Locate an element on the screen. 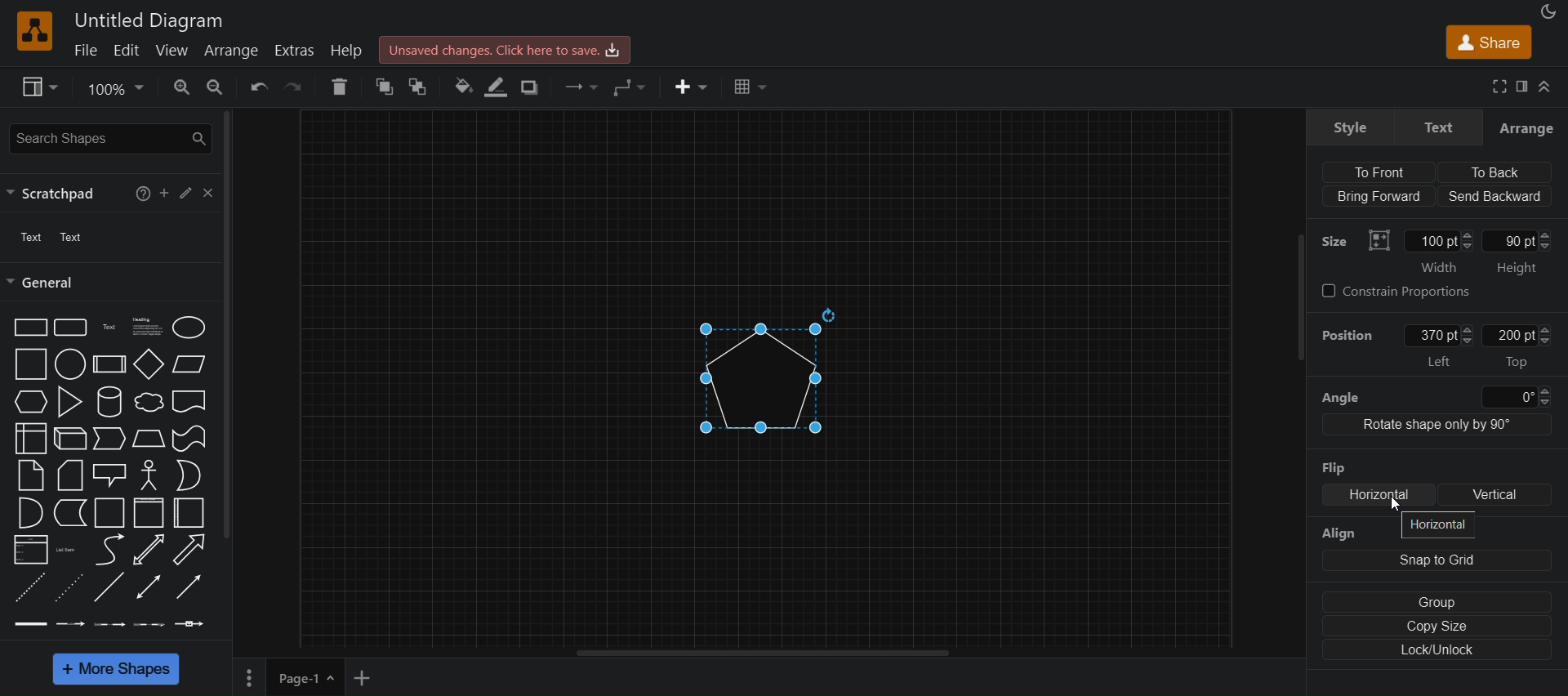 The height and width of the screenshot is (696, 1568). connection is located at coordinates (577, 87).